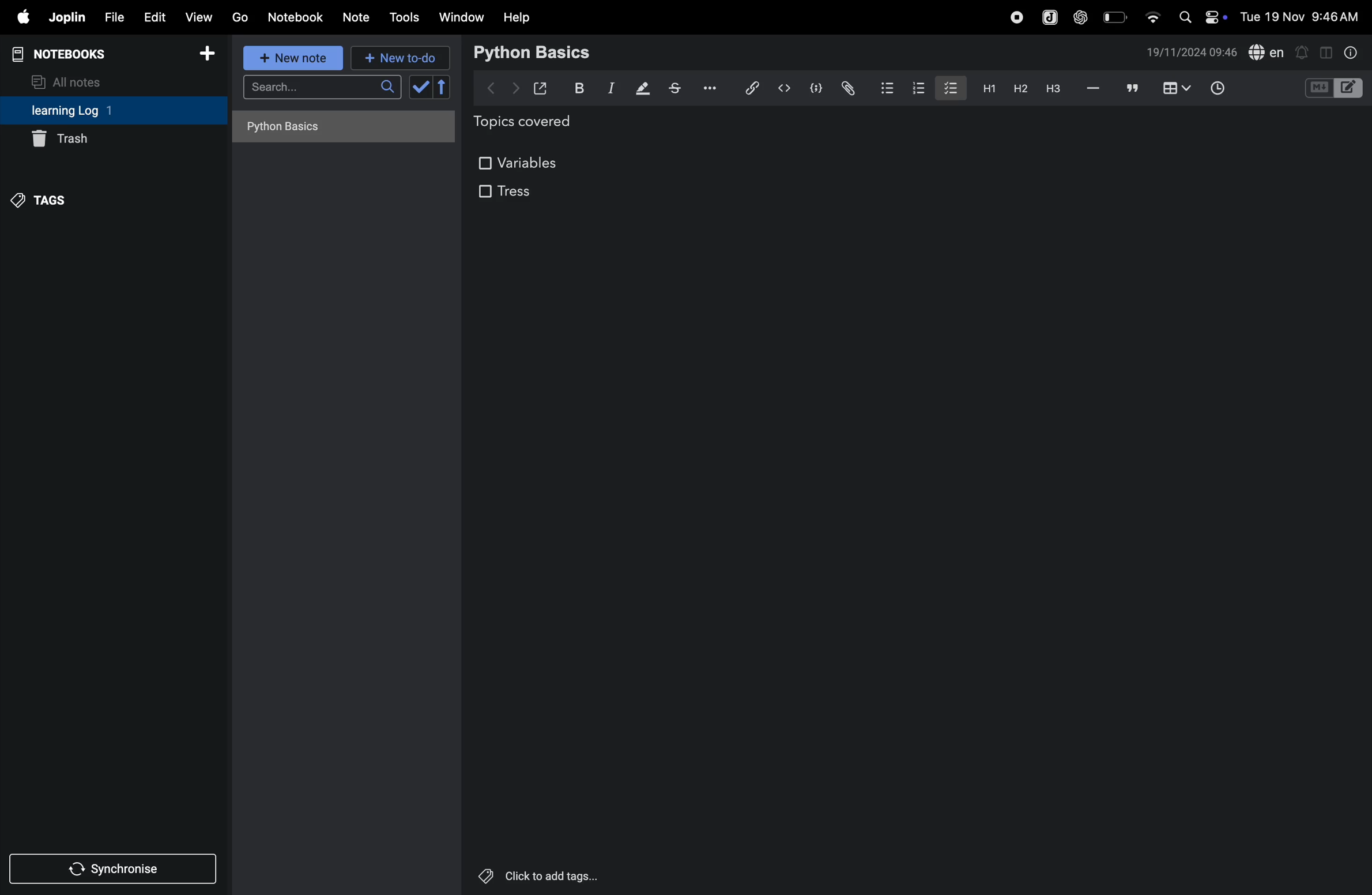  What do you see at coordinates (504, 191) in the screenshot?
I see `tress` at bounding box center [504, 191].